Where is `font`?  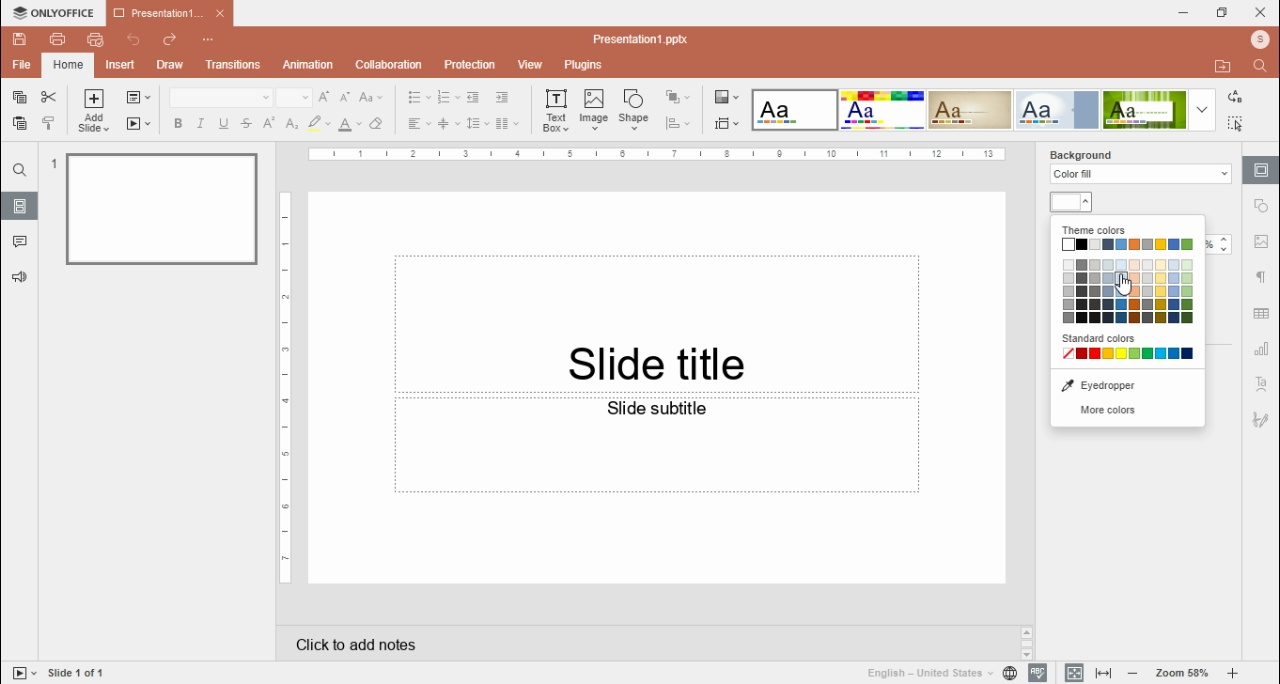 font is located at coordinates (221, 98).